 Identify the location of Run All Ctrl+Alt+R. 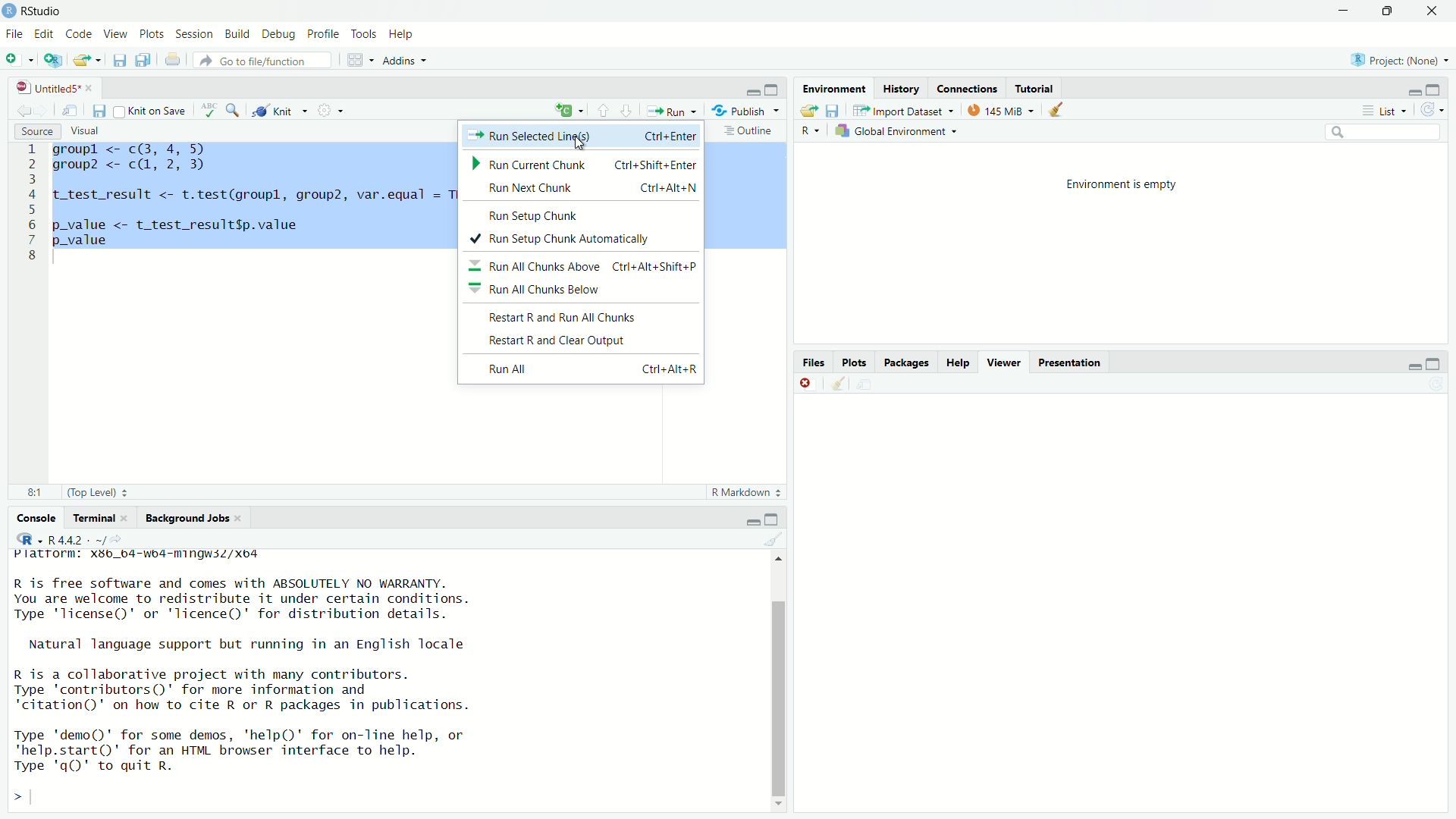
(590, 372).